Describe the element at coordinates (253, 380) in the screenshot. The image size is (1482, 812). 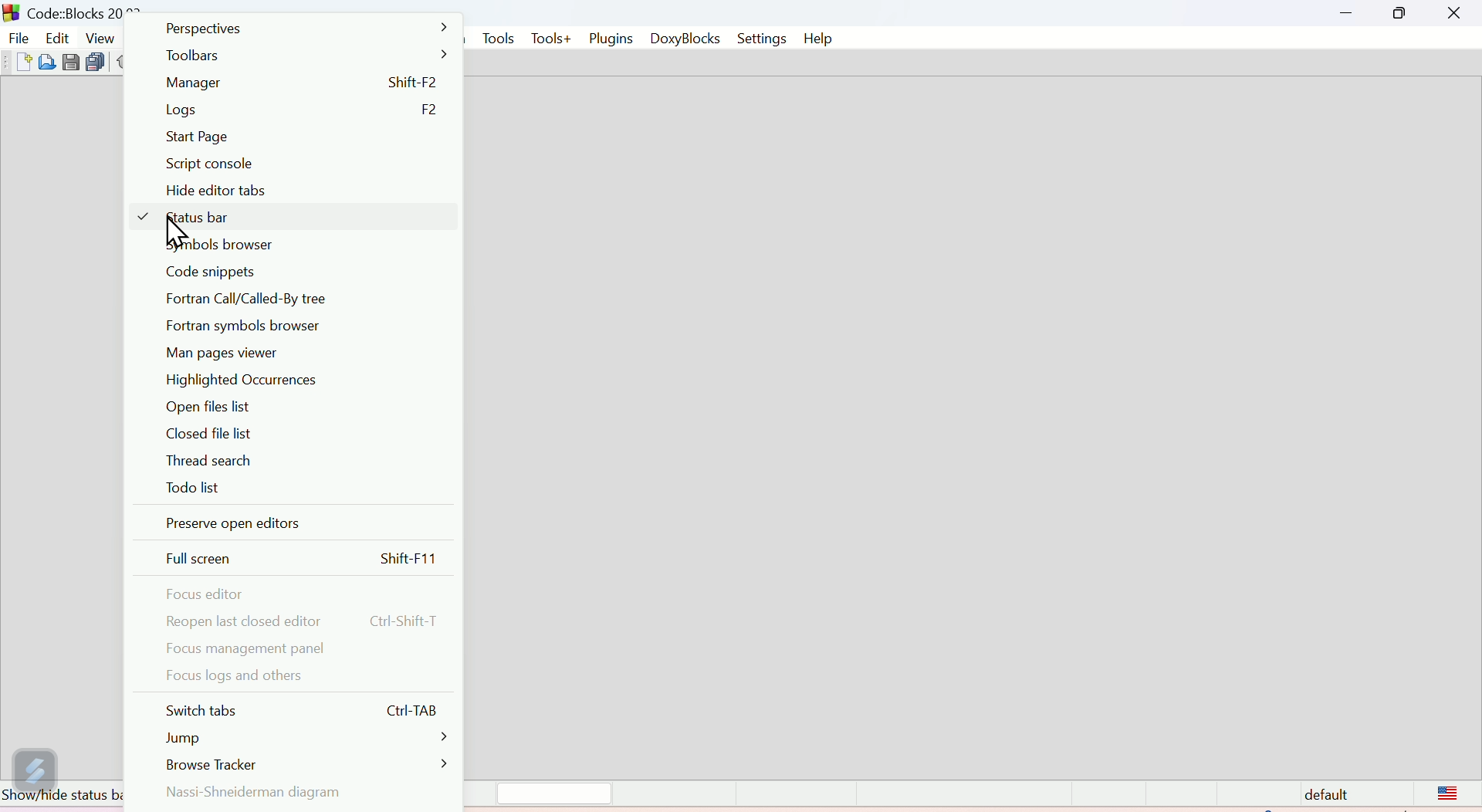
I see `Highlighted Occurences` at that location.